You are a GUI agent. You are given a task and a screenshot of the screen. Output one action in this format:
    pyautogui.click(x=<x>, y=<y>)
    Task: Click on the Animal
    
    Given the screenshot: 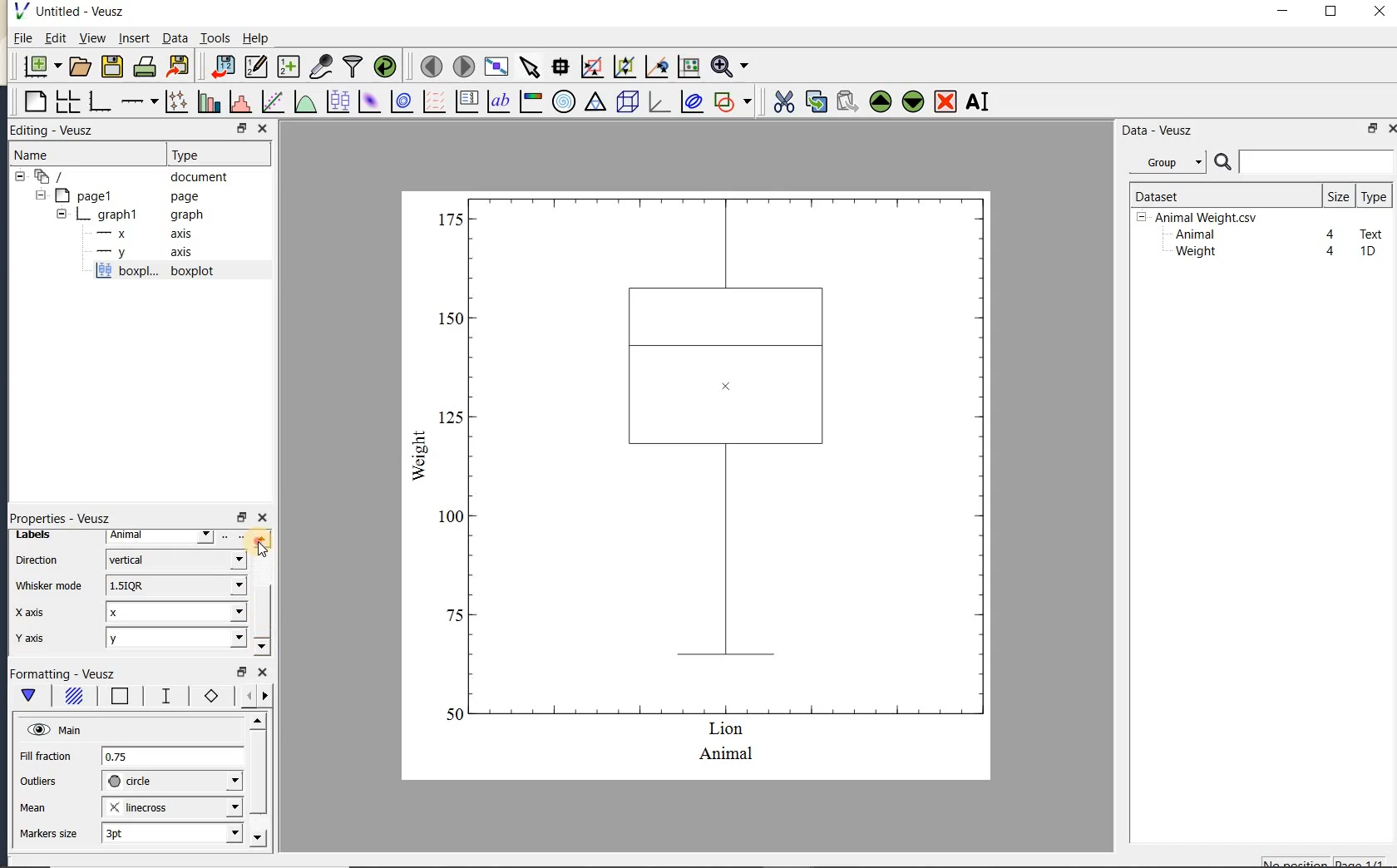 What is the action you would take?
    pyautogui.click(x=160, y=537)
    